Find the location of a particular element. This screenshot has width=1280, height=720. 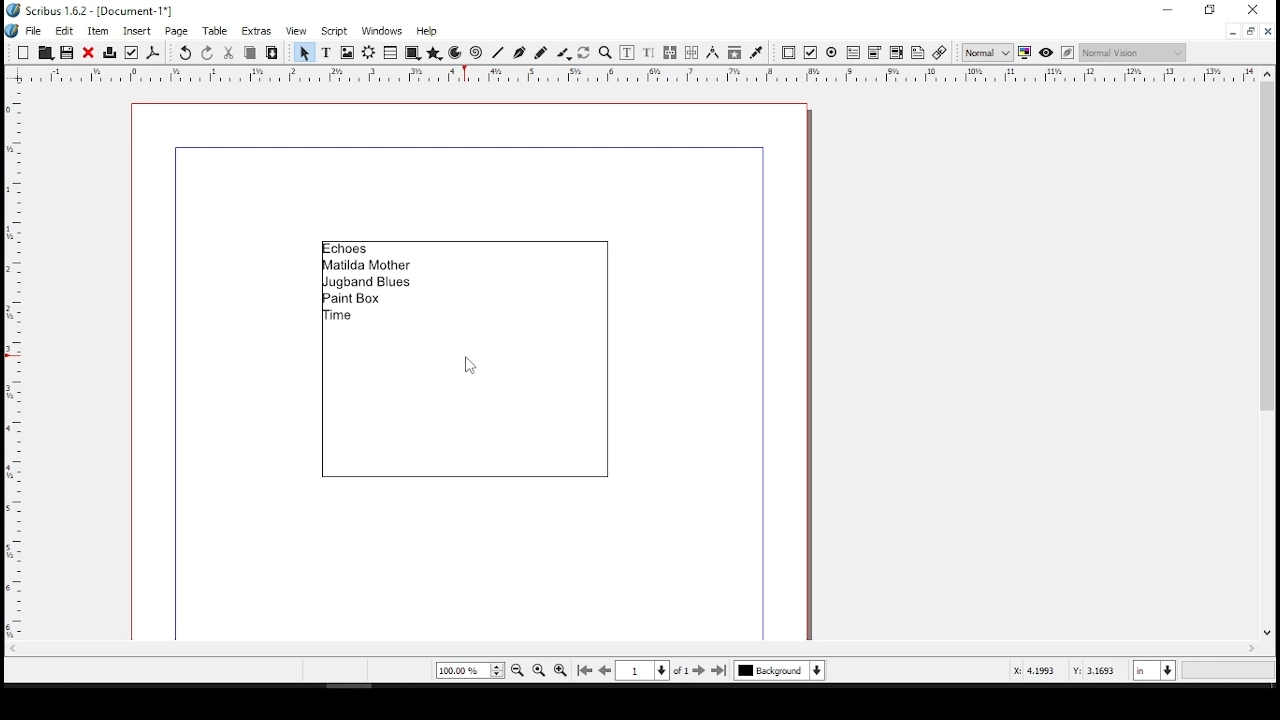

Y: 3.1693 is located at coordinates (1095, 671).